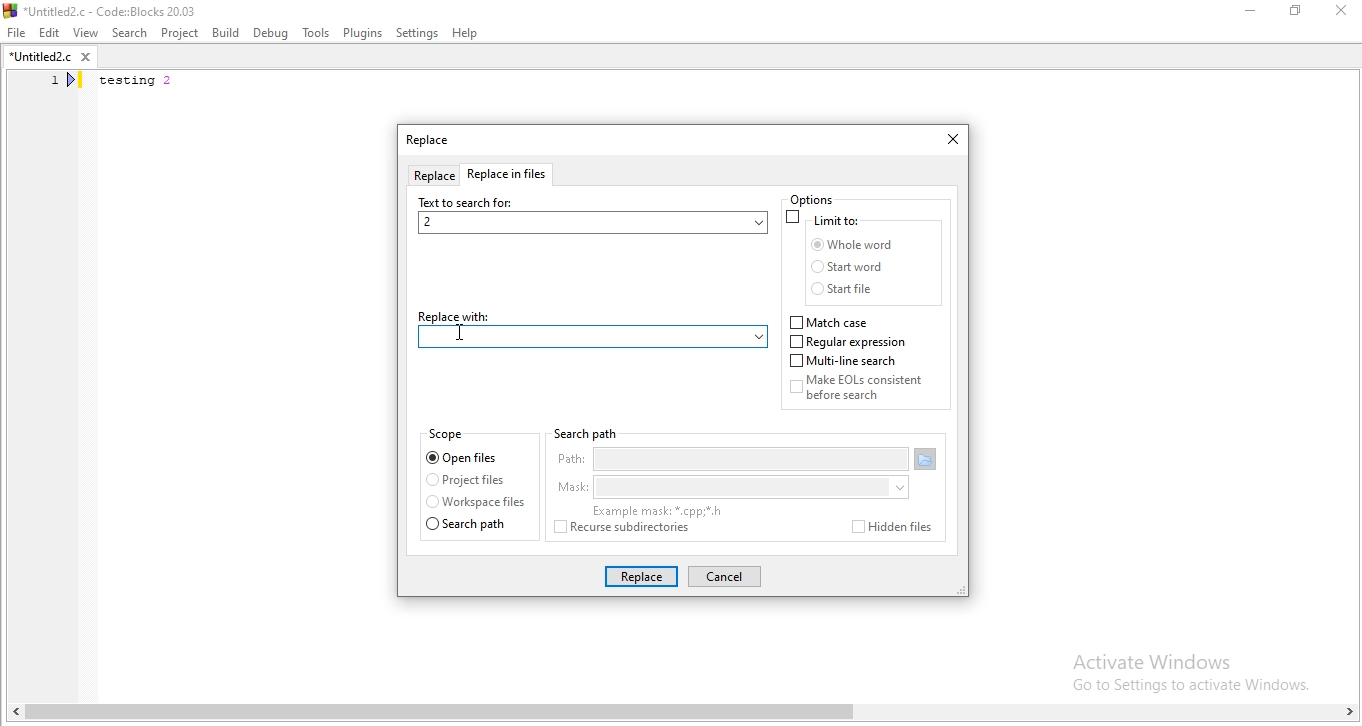 The height and width of the screenshot is (726, 1362). Describe the element at coordinates (465, 456) in the screenshot. I see `open files` at that location.